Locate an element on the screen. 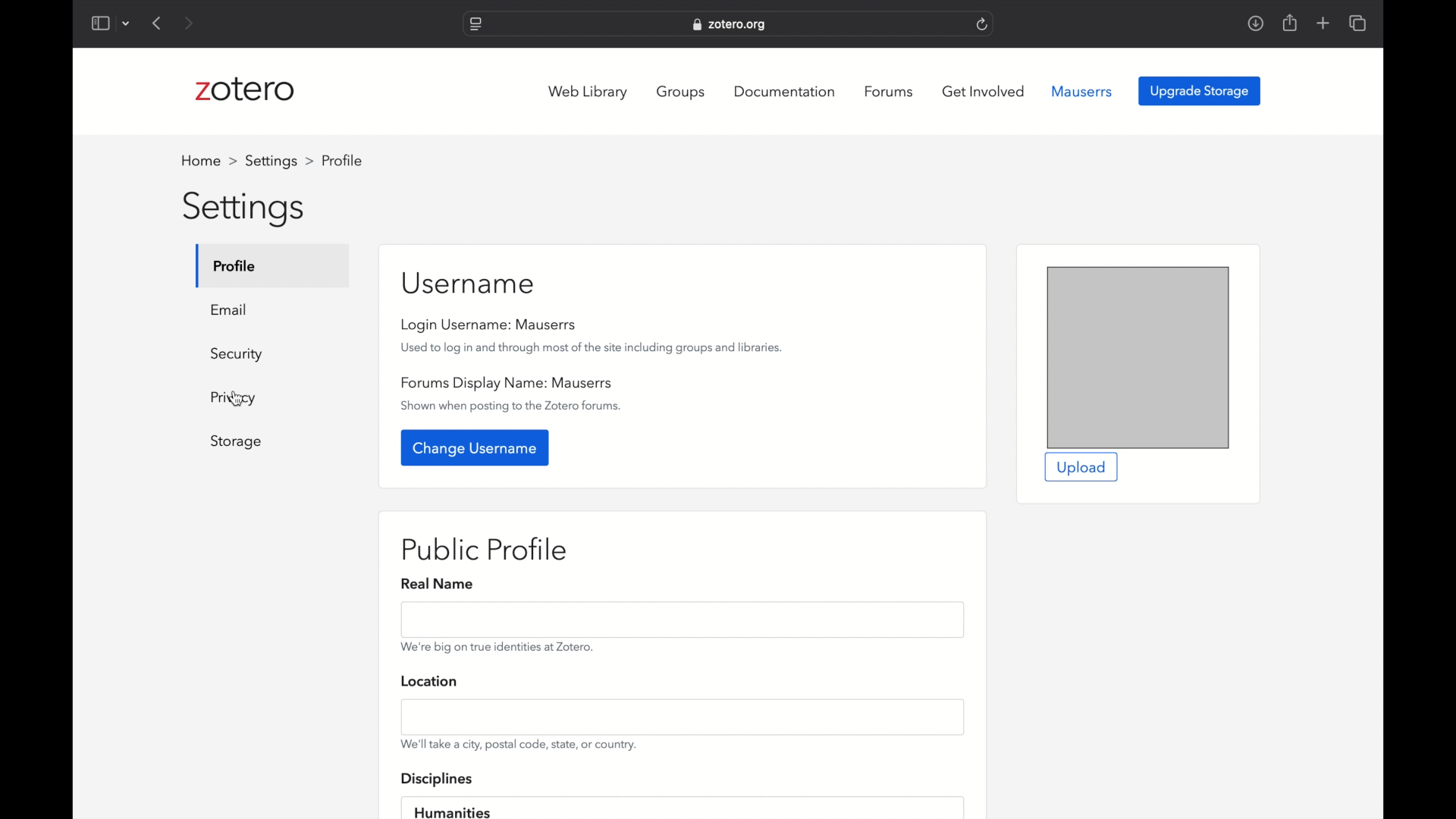 The image size is (1456, 819). login username: mauserrs is located at coordinates (490, 325).